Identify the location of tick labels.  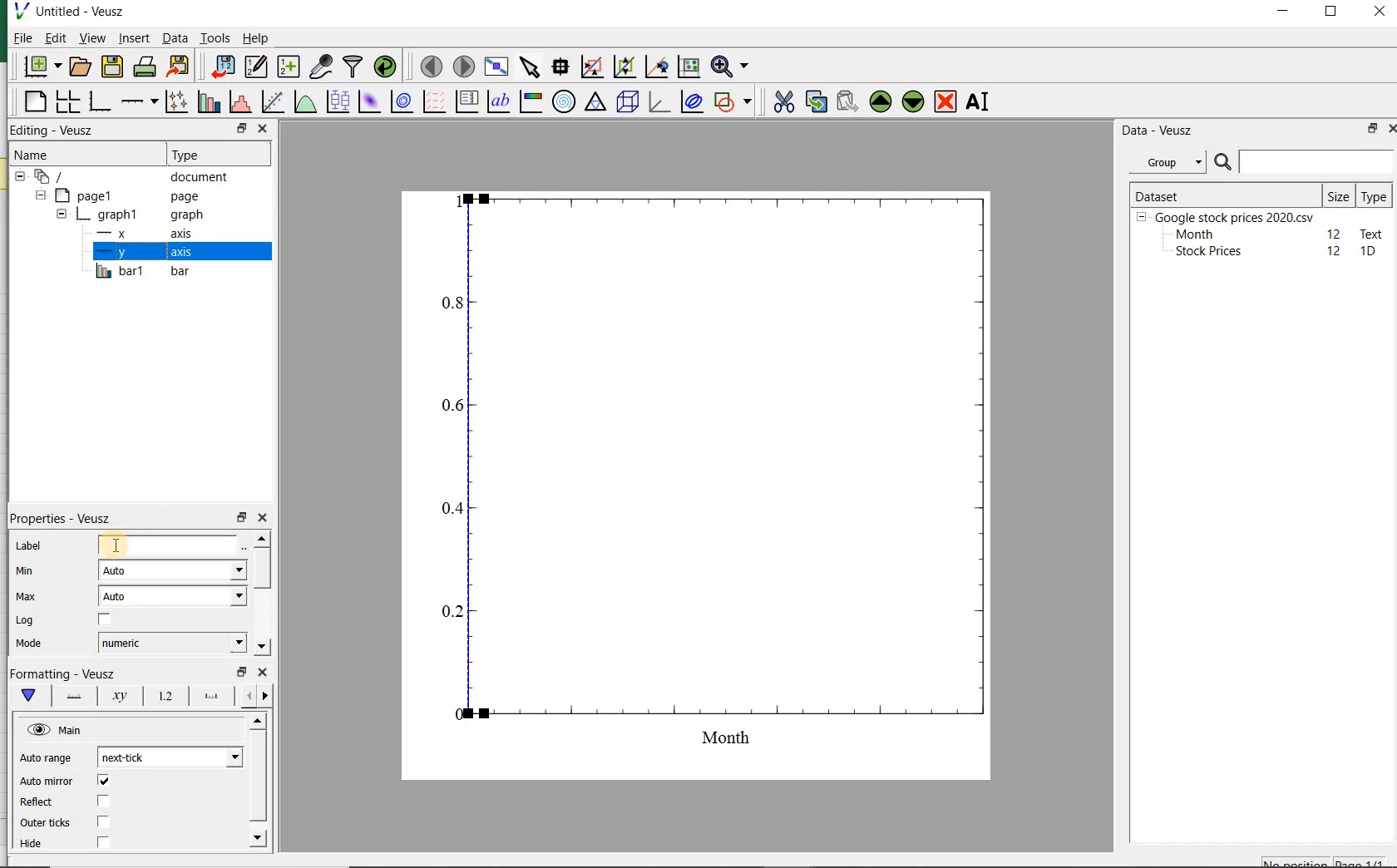
(162, 698).